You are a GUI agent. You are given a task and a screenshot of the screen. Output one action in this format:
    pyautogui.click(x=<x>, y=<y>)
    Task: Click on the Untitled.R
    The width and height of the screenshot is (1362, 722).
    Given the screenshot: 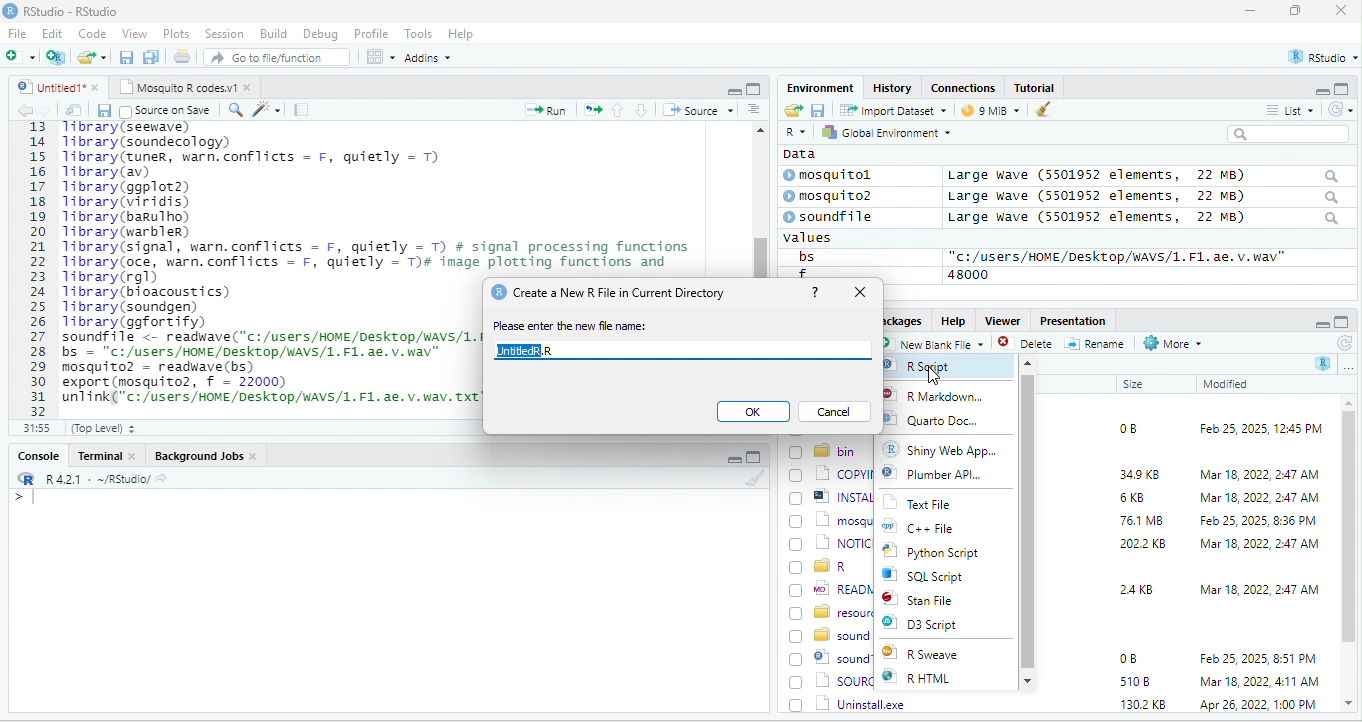 What is the action you would take?
    pyautogui.click(x=533, y=352)
    